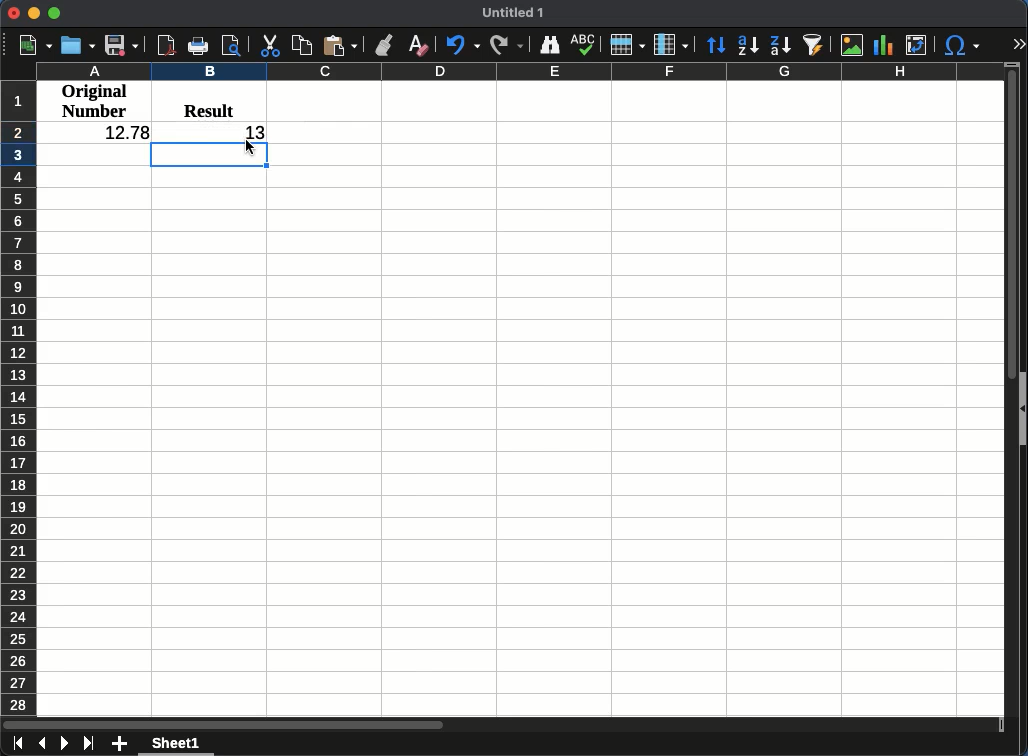 The height and width of the screenshot is (756, 1028). What do you see at coordinates (36, 44) in the screenshot?
I see `new` at bounding box center [36, 44].